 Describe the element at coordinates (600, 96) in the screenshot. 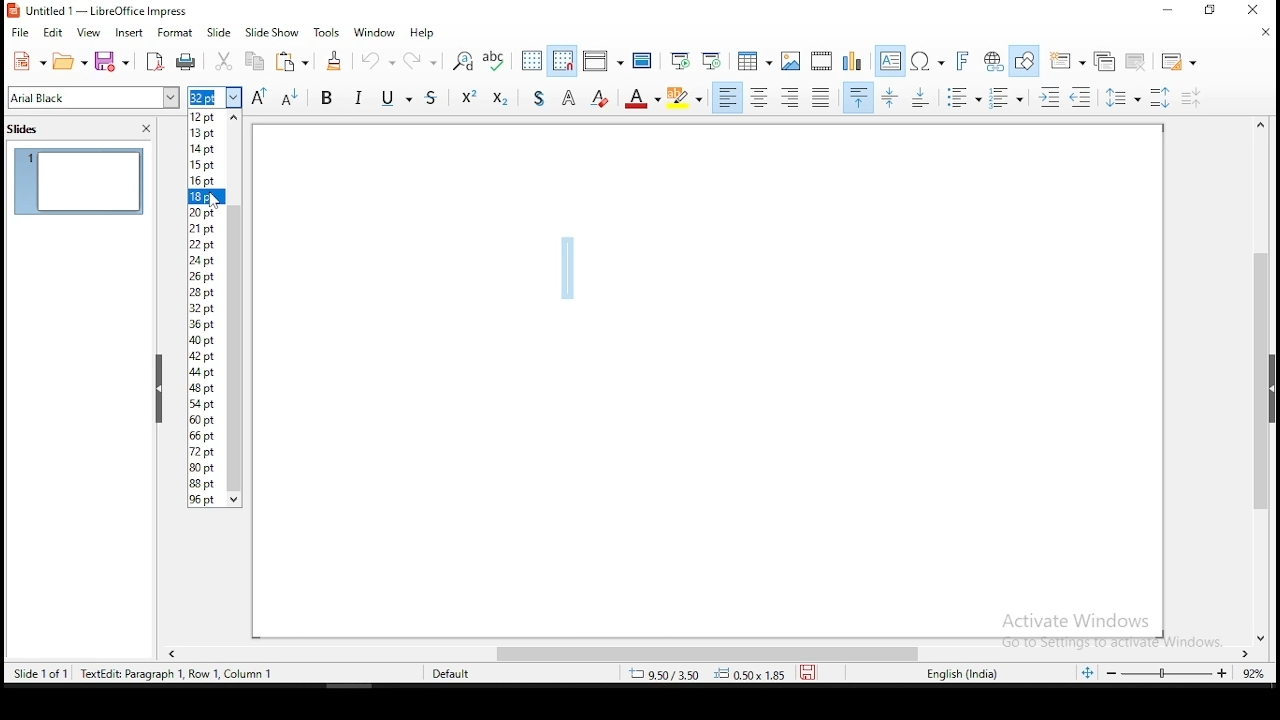

I see `Erase style` at that location.